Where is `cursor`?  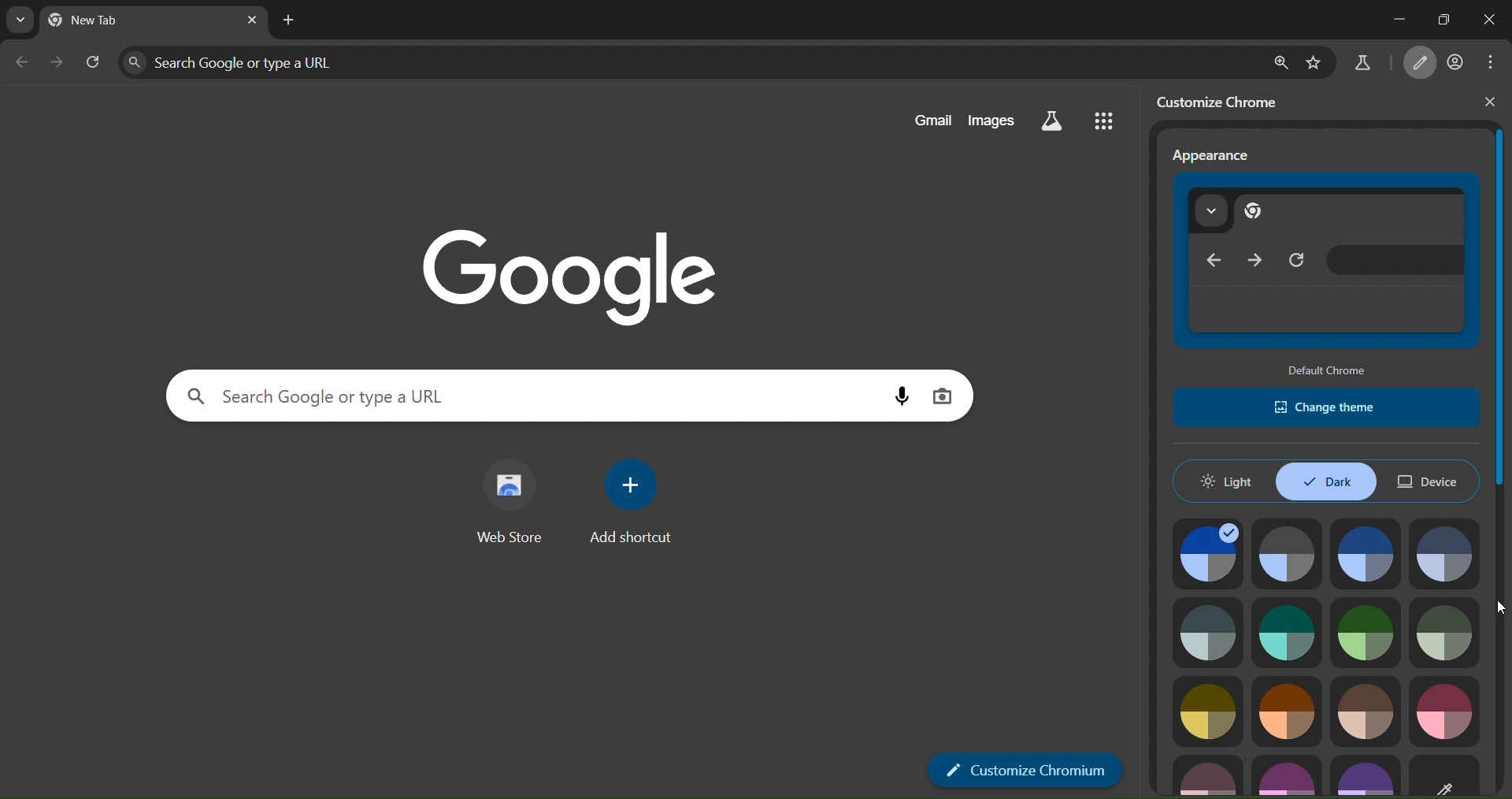 cursor is located at coordinates (1496, 608).